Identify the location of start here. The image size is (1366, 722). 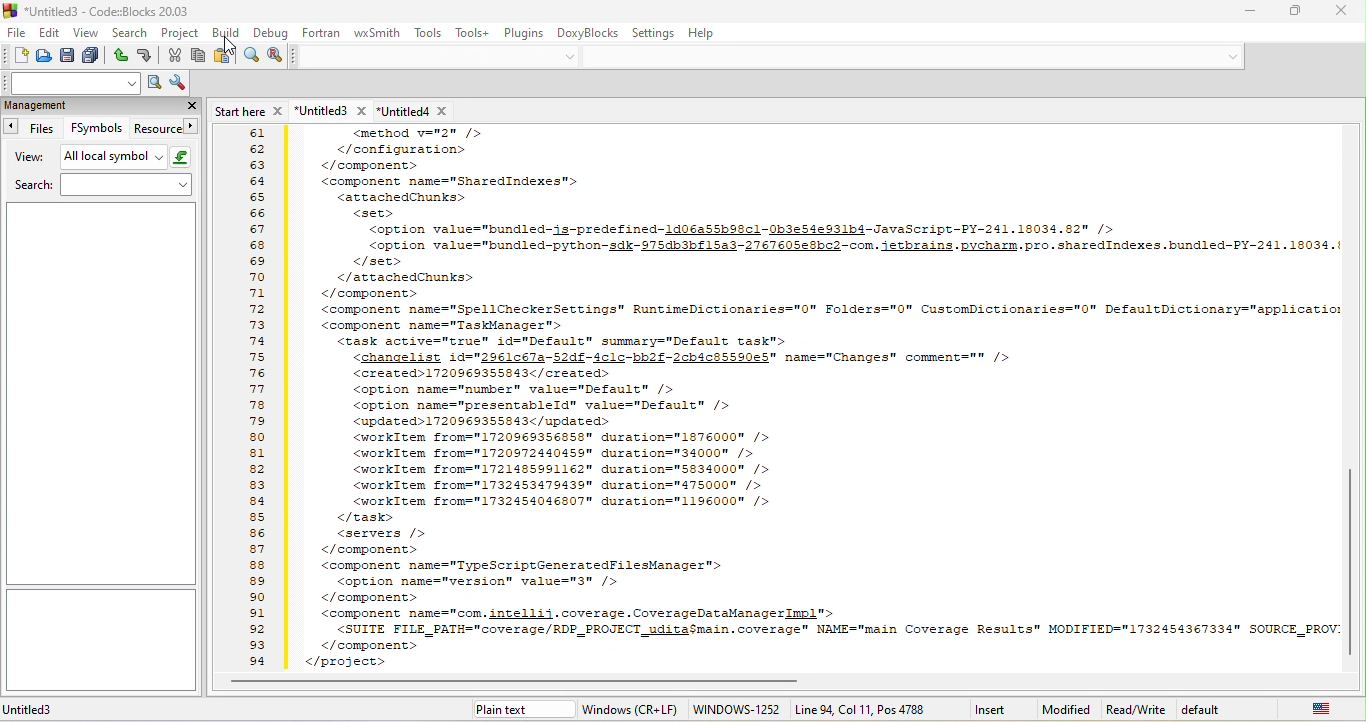
(247, 109).